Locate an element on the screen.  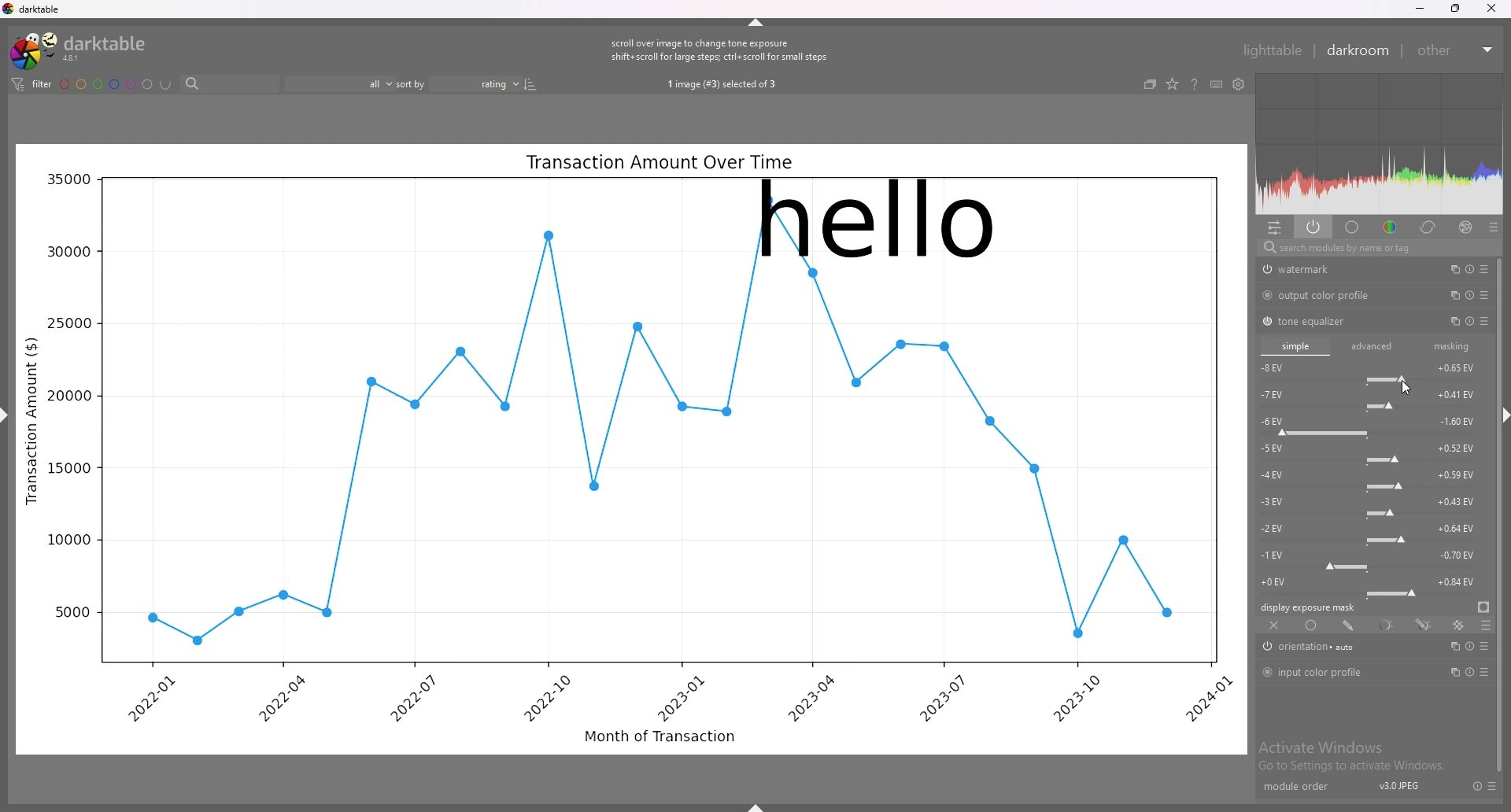
orientation is located at coordinates (1320, 648).